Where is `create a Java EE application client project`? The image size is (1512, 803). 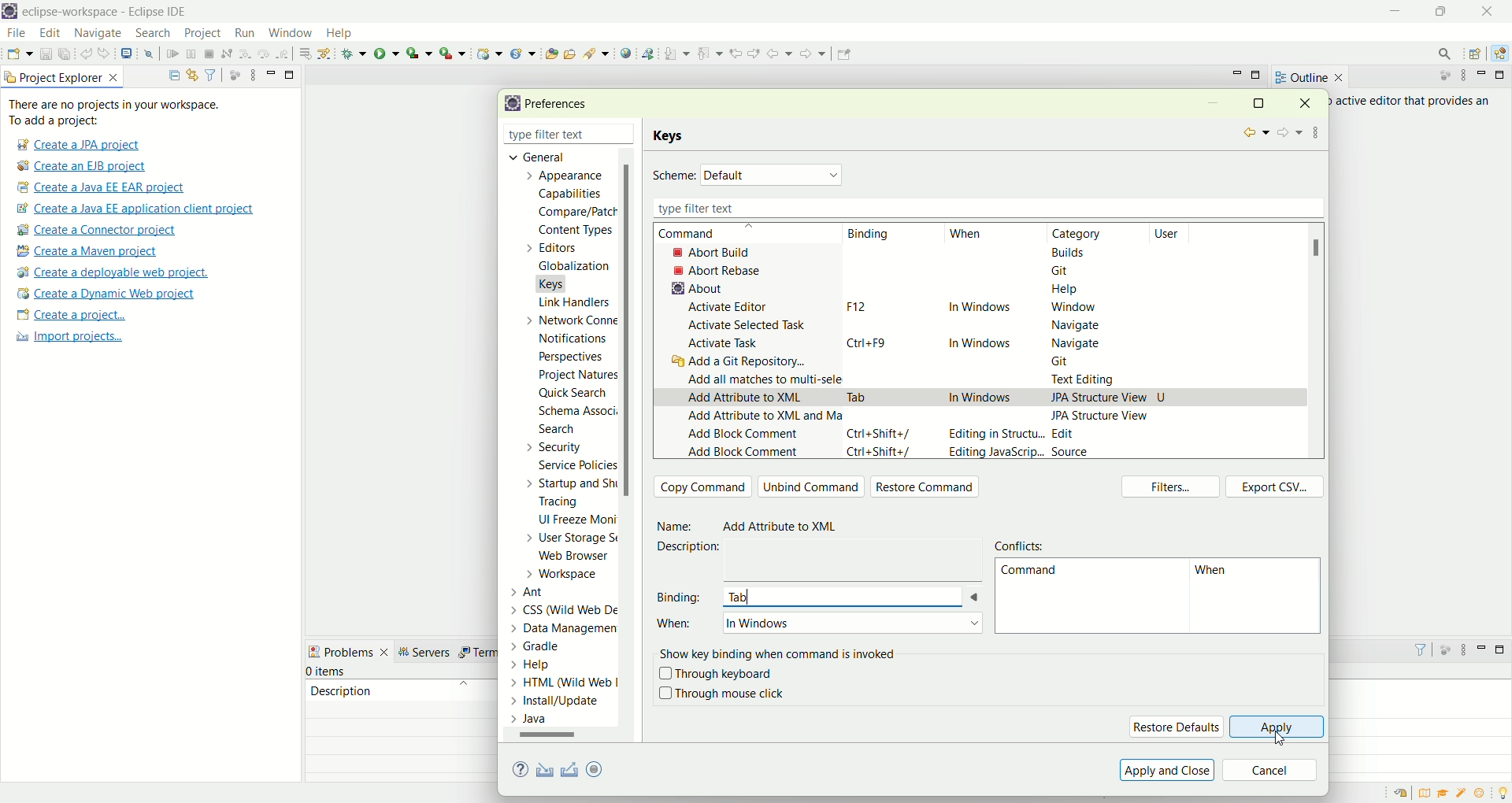 create a Java EE application client project is located at coordinates (135, 211).